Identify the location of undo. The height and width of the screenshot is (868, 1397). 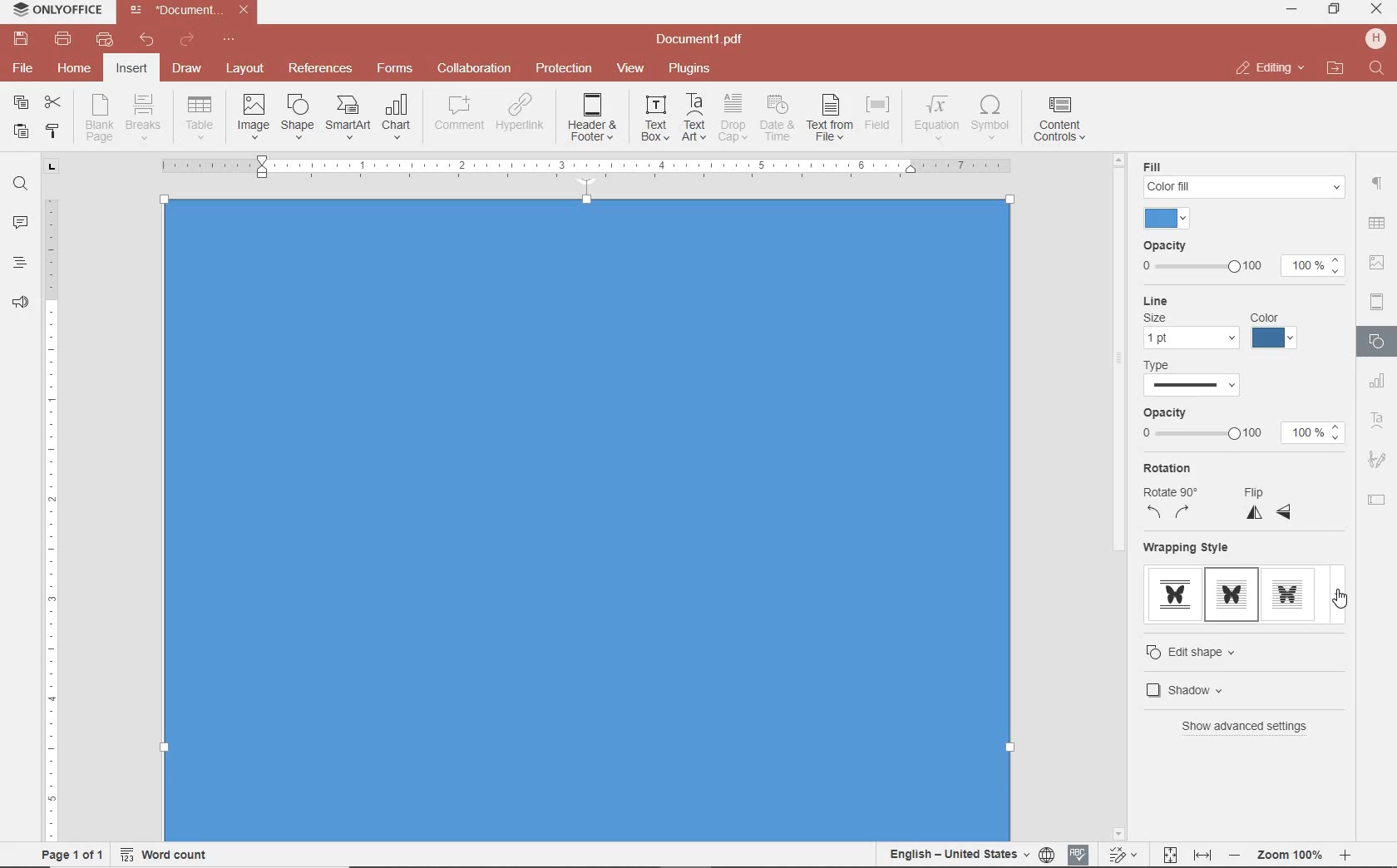
(147, 40).